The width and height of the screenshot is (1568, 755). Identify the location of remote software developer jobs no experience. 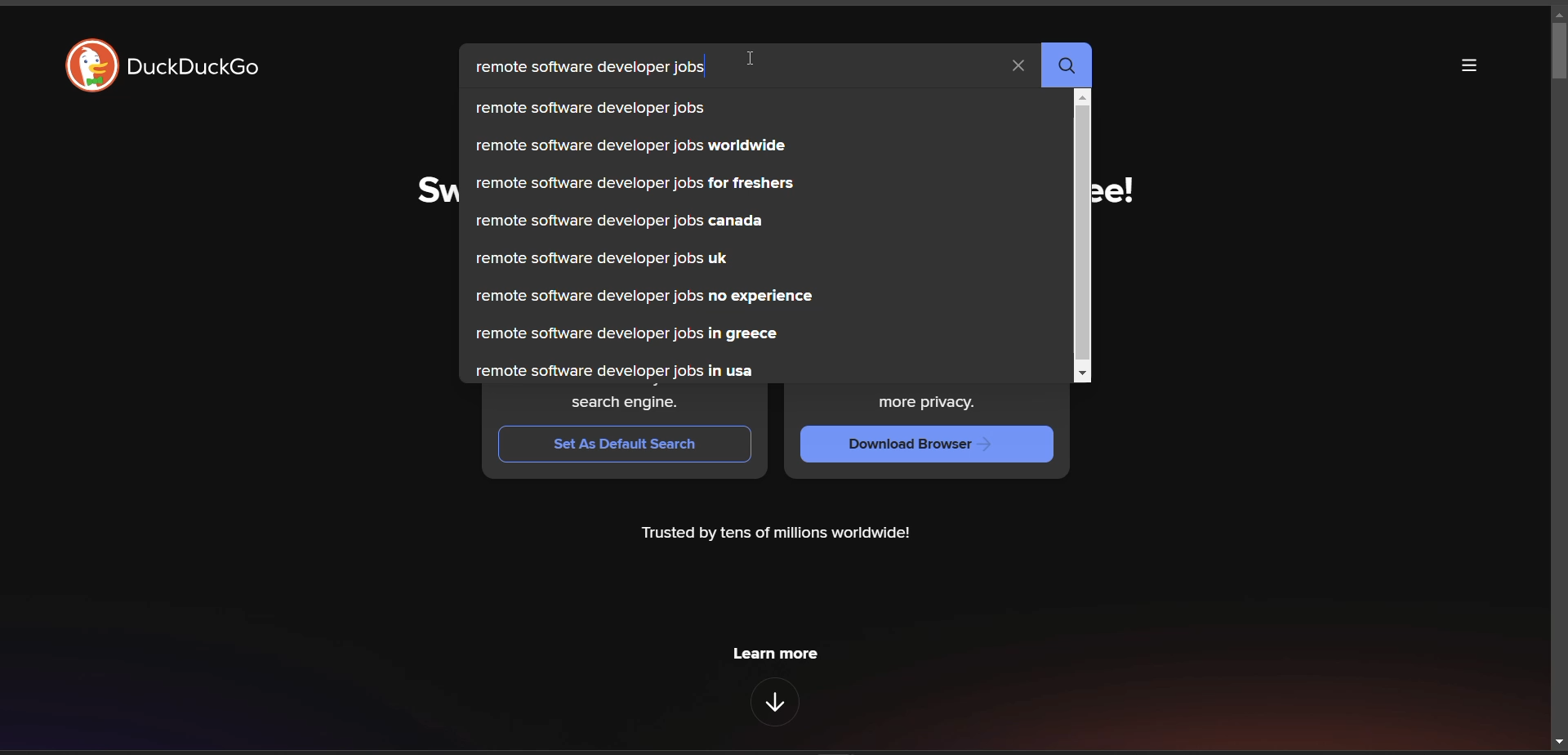
(659, 294).